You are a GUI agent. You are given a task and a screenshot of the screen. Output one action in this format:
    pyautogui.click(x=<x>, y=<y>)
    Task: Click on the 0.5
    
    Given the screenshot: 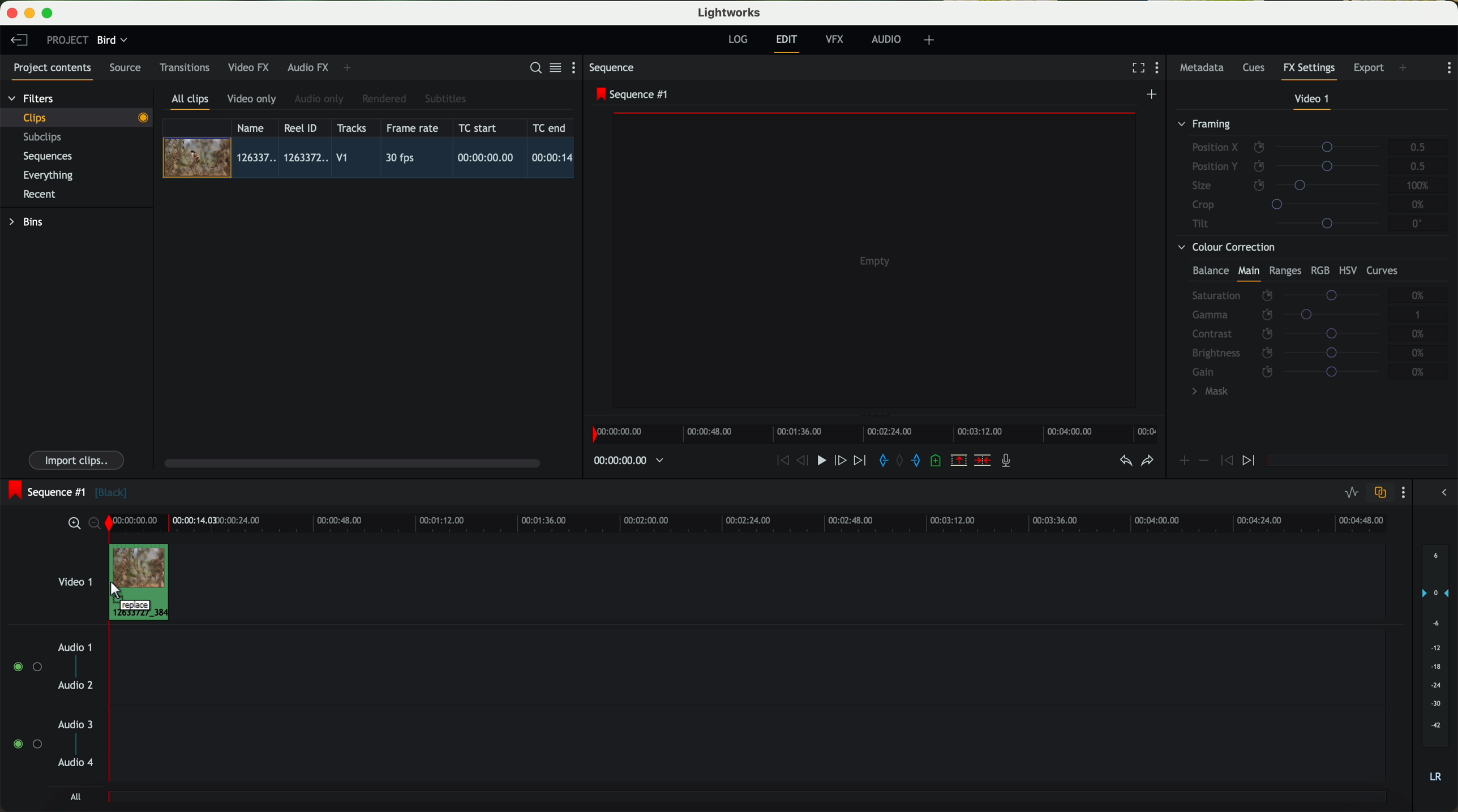 What is the action you would take?
    pyautogui.click(x=1418, y=148)
    